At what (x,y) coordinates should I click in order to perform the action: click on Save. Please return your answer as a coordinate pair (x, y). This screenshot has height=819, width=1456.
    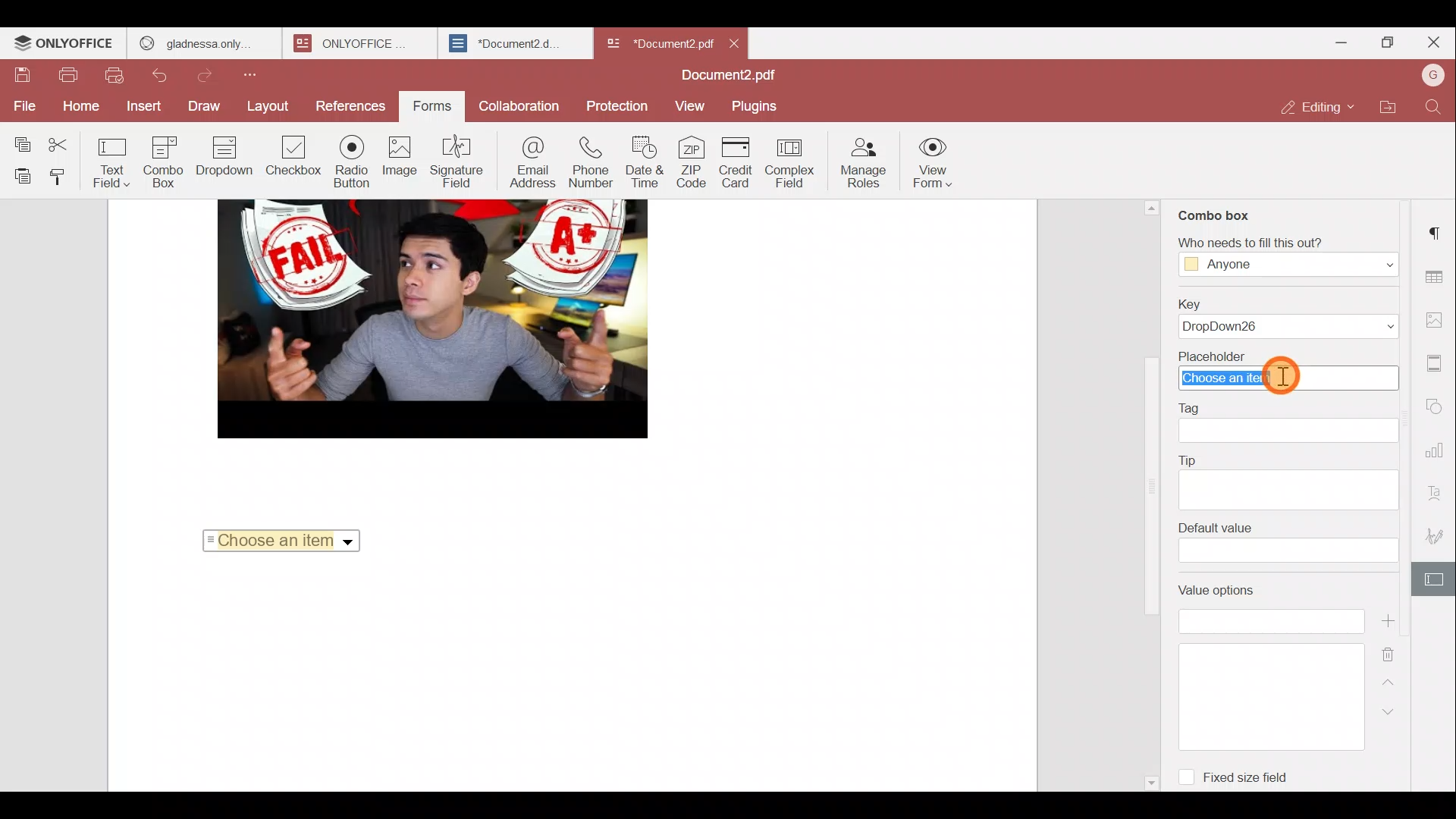
    Looking at the image, I should click on (23, 76).